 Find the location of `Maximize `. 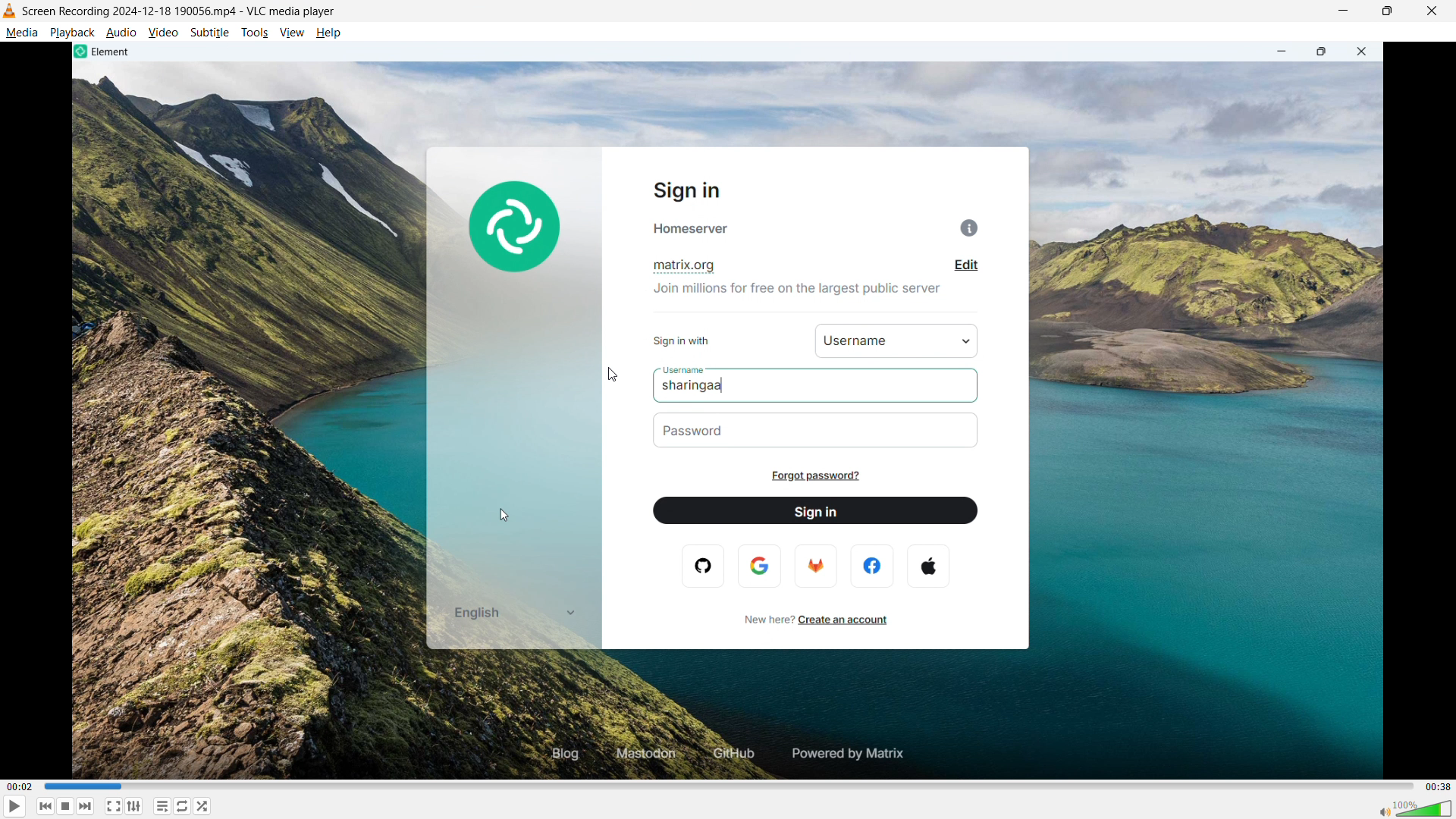

Maximize  is located at coordinates (1389, 11).